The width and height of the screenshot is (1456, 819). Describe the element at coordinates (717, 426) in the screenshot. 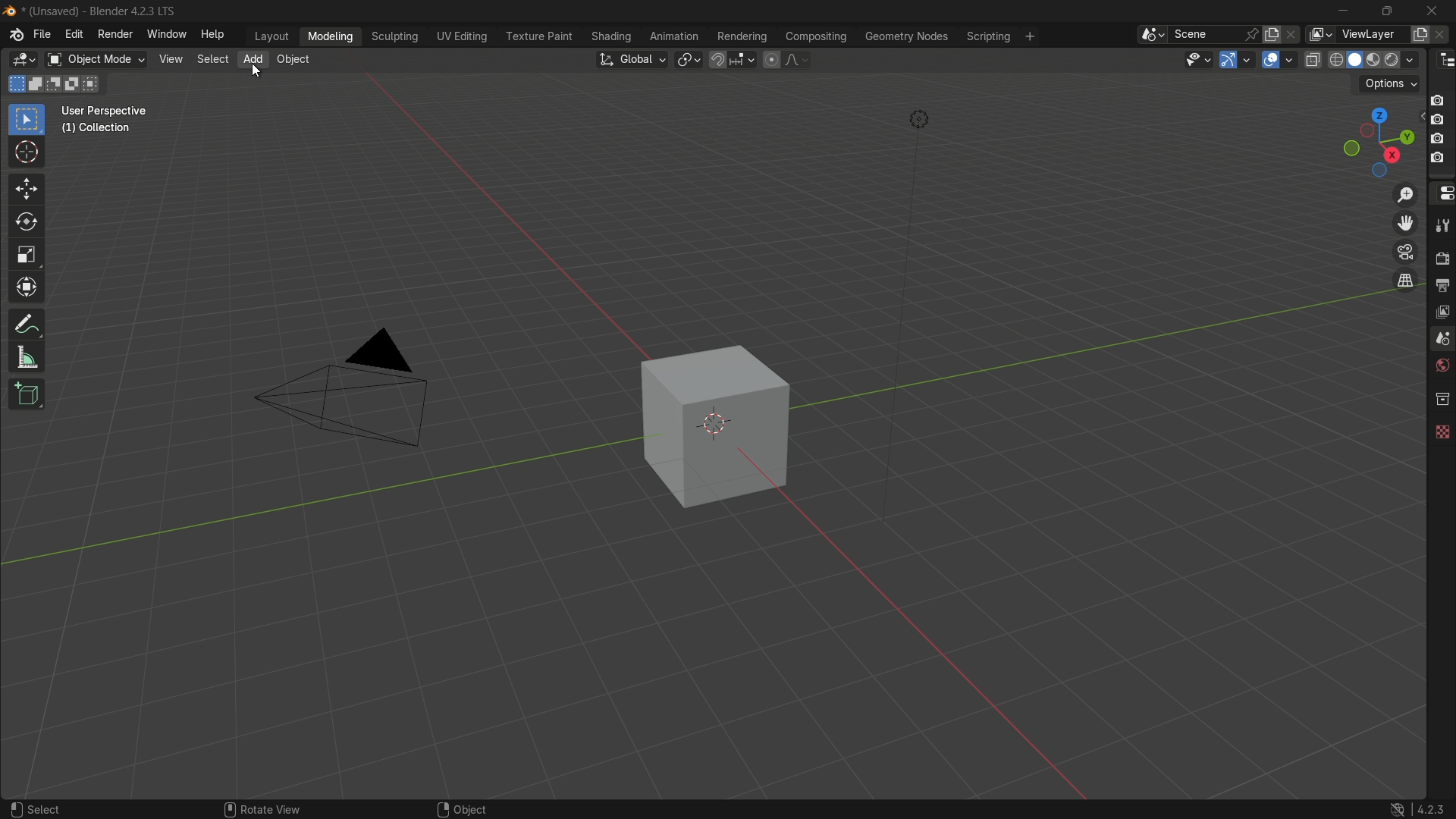

I see `cube` at that location.